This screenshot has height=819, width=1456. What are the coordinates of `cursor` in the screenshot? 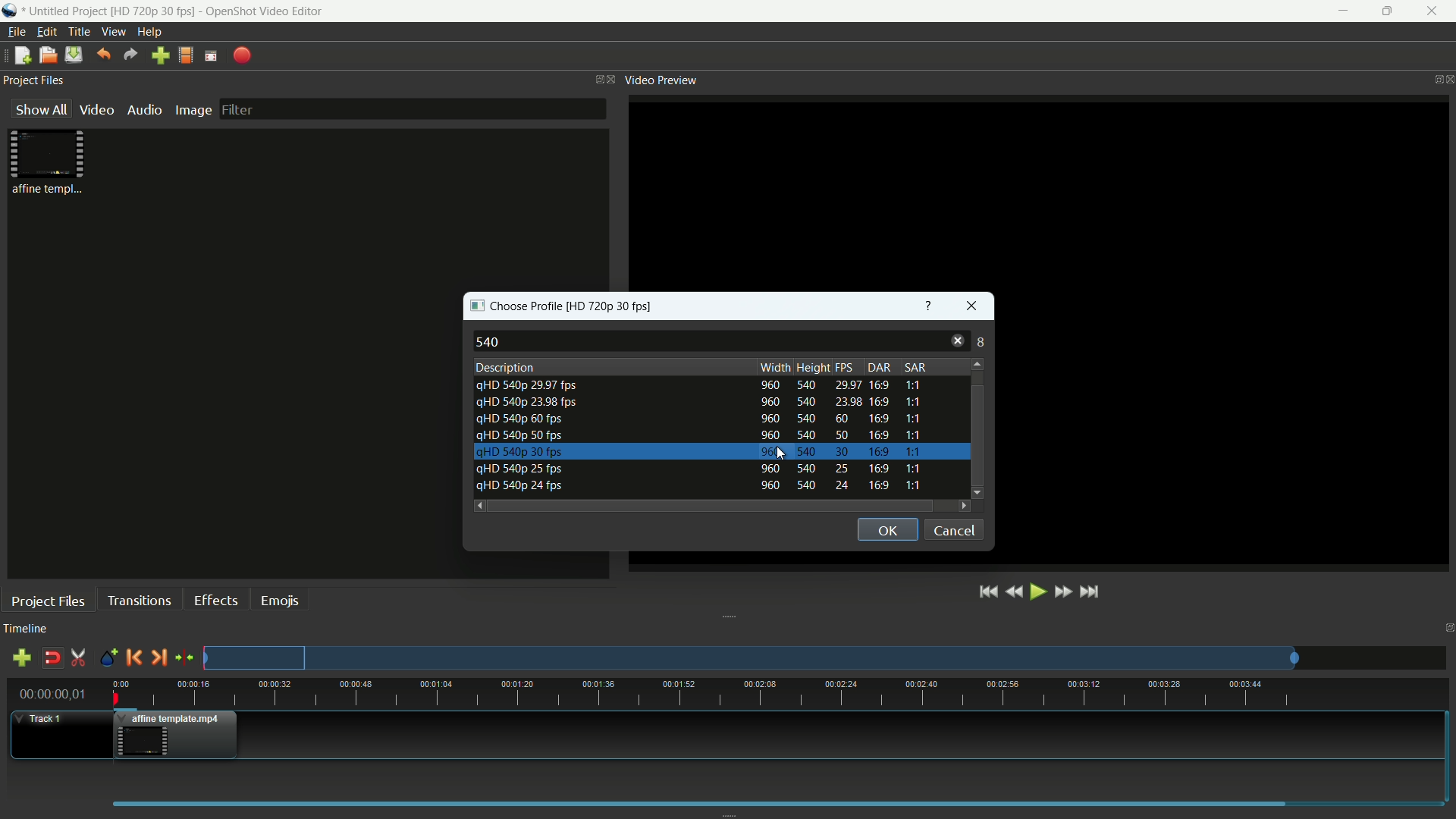 It's located at (780, 455).